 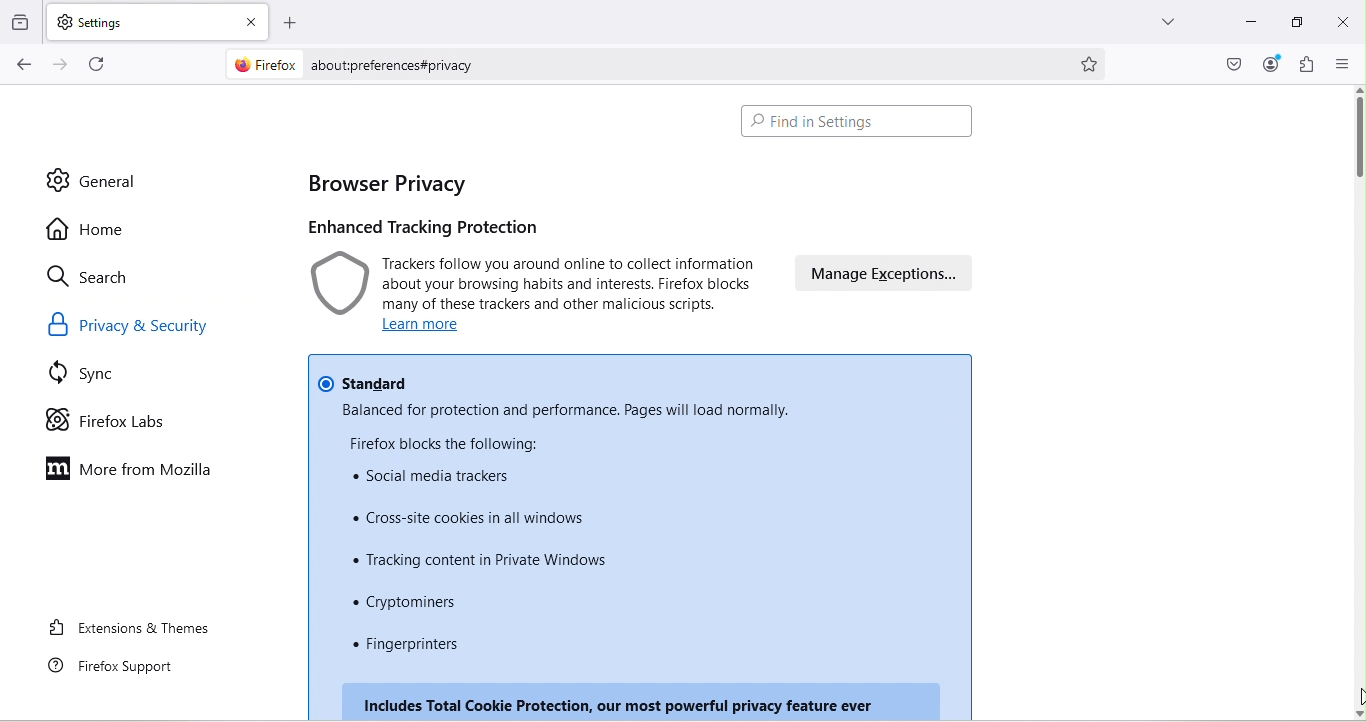 What do you see at coordinates (21, 65) in the screenshot?
I see `Go back one page` at bounding box center [21, 65].